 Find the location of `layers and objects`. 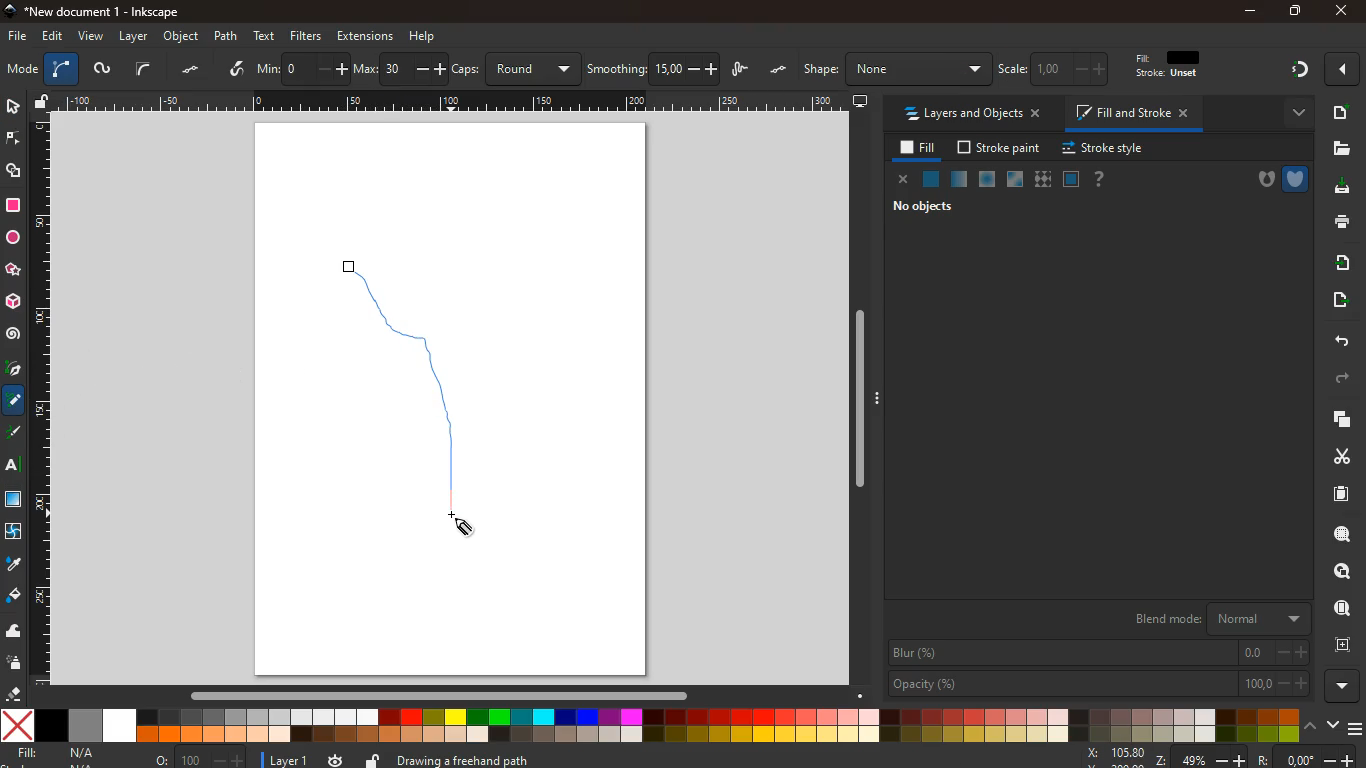

layers and objects is located at coordinates (970, 113).